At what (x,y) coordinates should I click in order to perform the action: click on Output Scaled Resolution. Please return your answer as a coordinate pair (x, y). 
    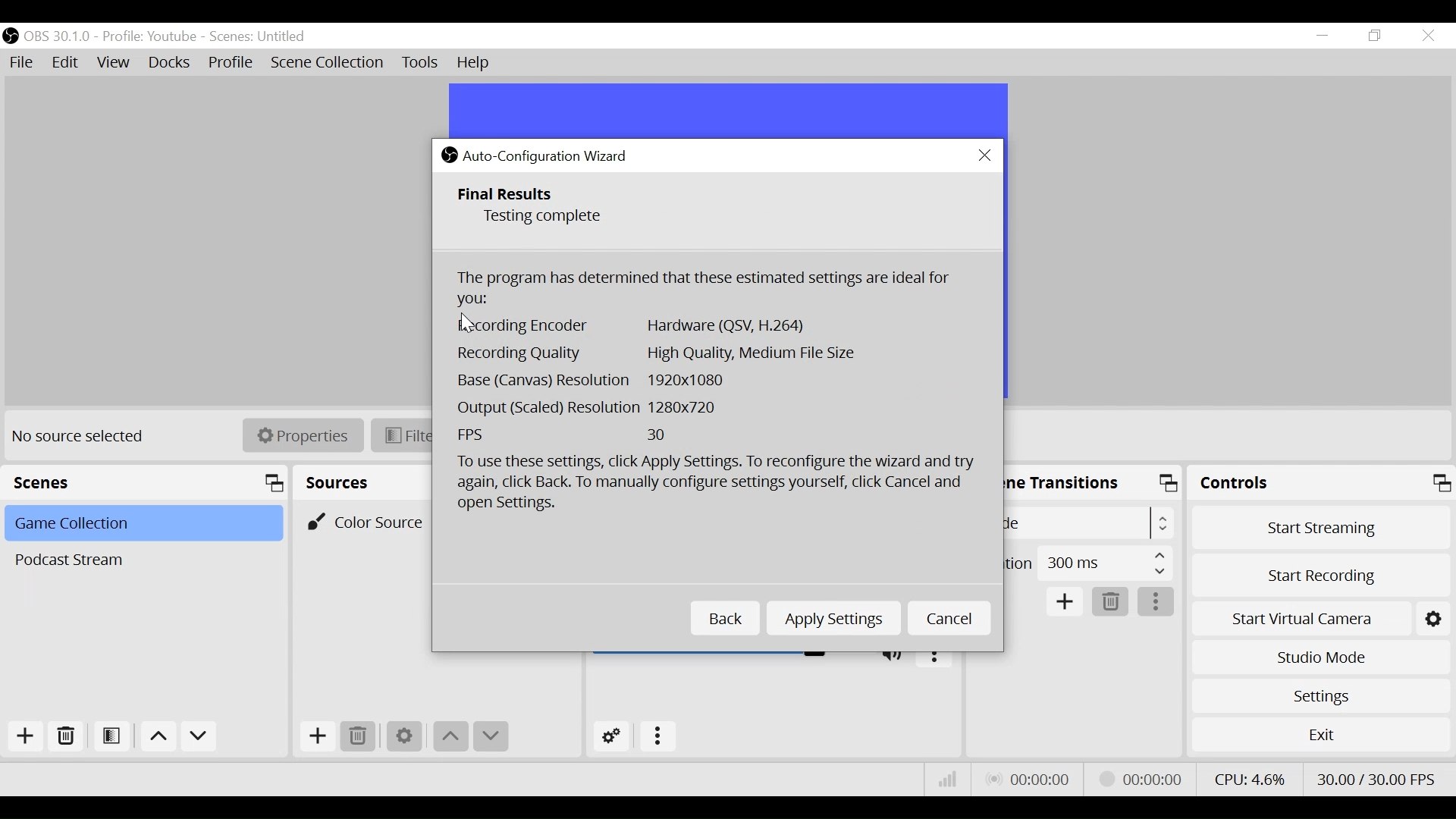
    Looking at the image, I should click on (620, 408).